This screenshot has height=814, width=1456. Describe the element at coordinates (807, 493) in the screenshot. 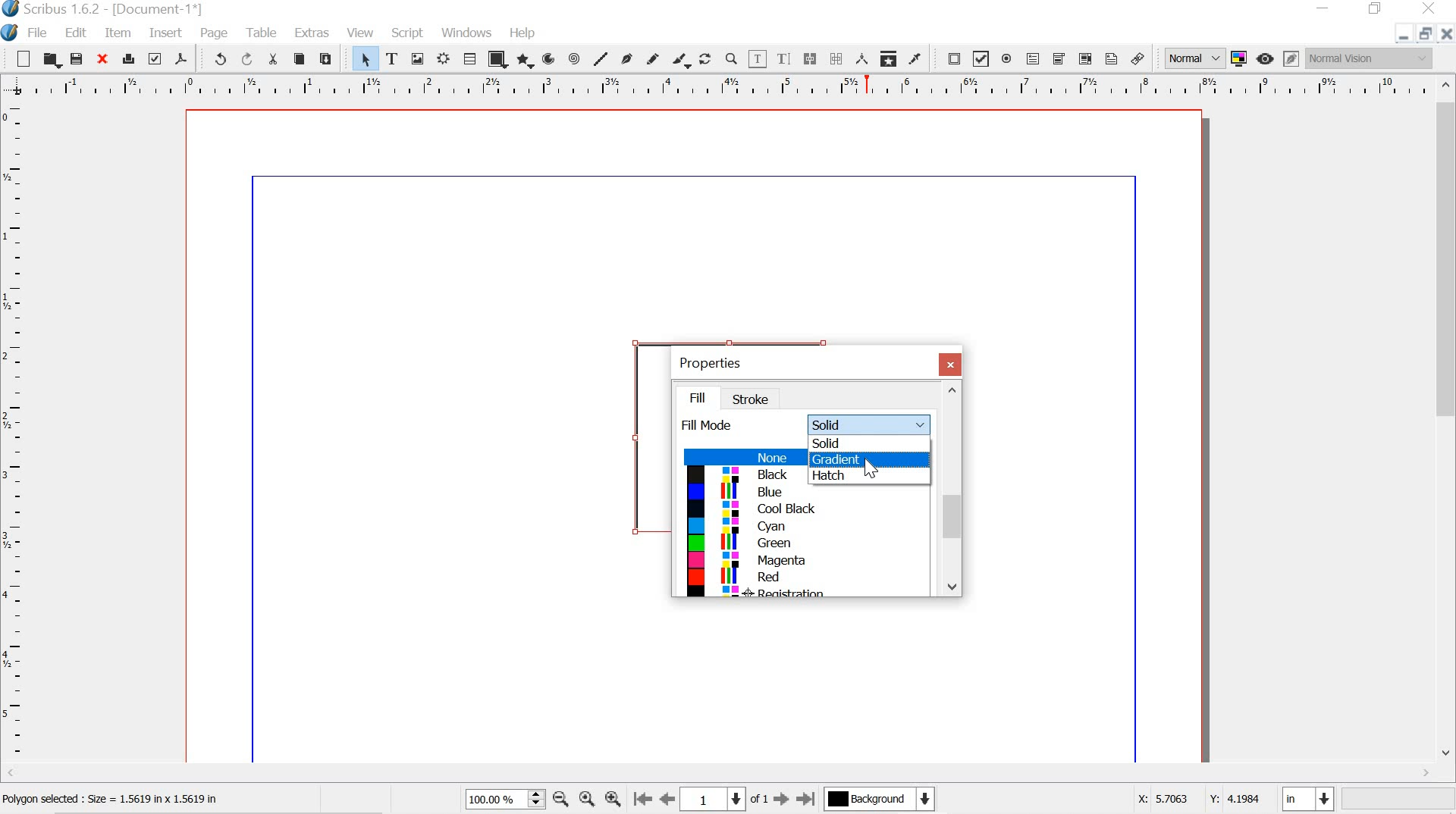

I see `blue` at that location.